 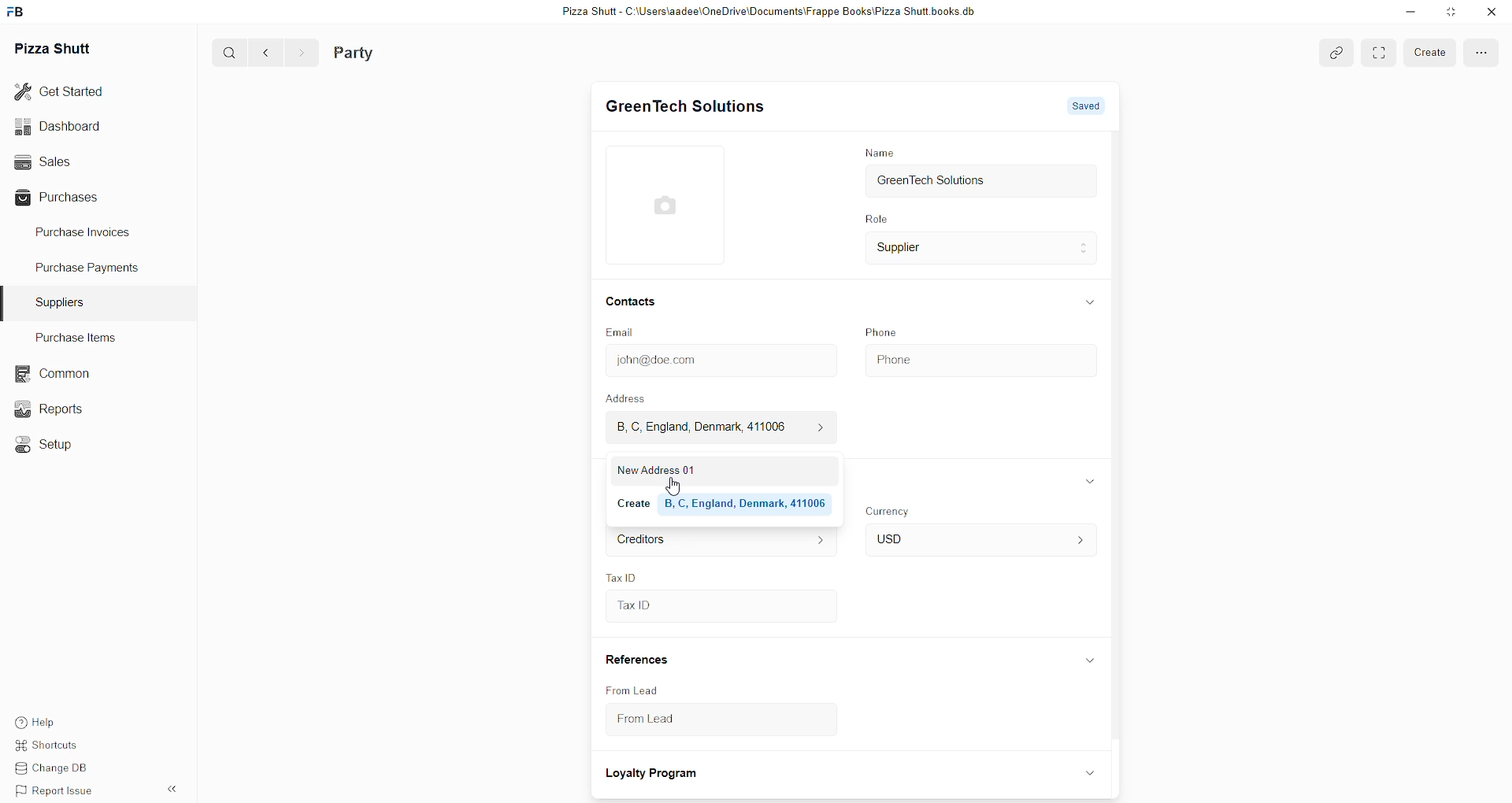 I want to click on close, so click(x=1490, y=12).